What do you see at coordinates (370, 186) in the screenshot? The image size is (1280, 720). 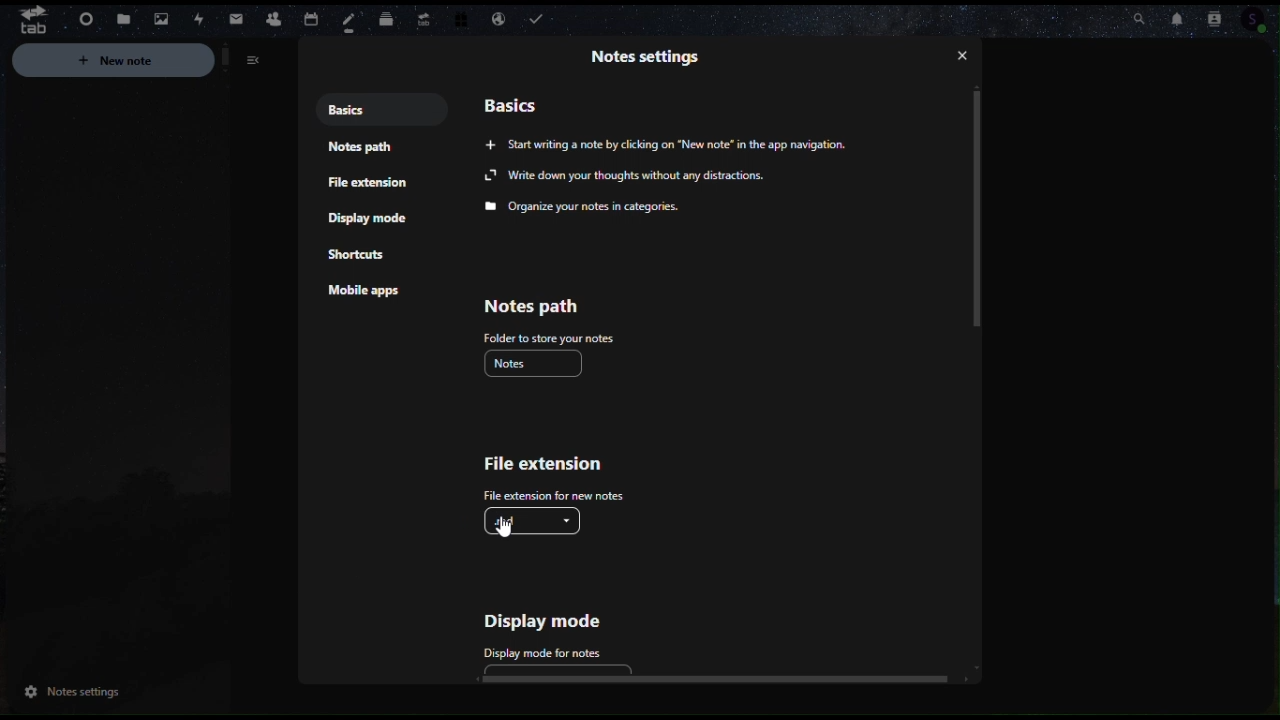 I see `File extension` at bounding box center [370, 186].